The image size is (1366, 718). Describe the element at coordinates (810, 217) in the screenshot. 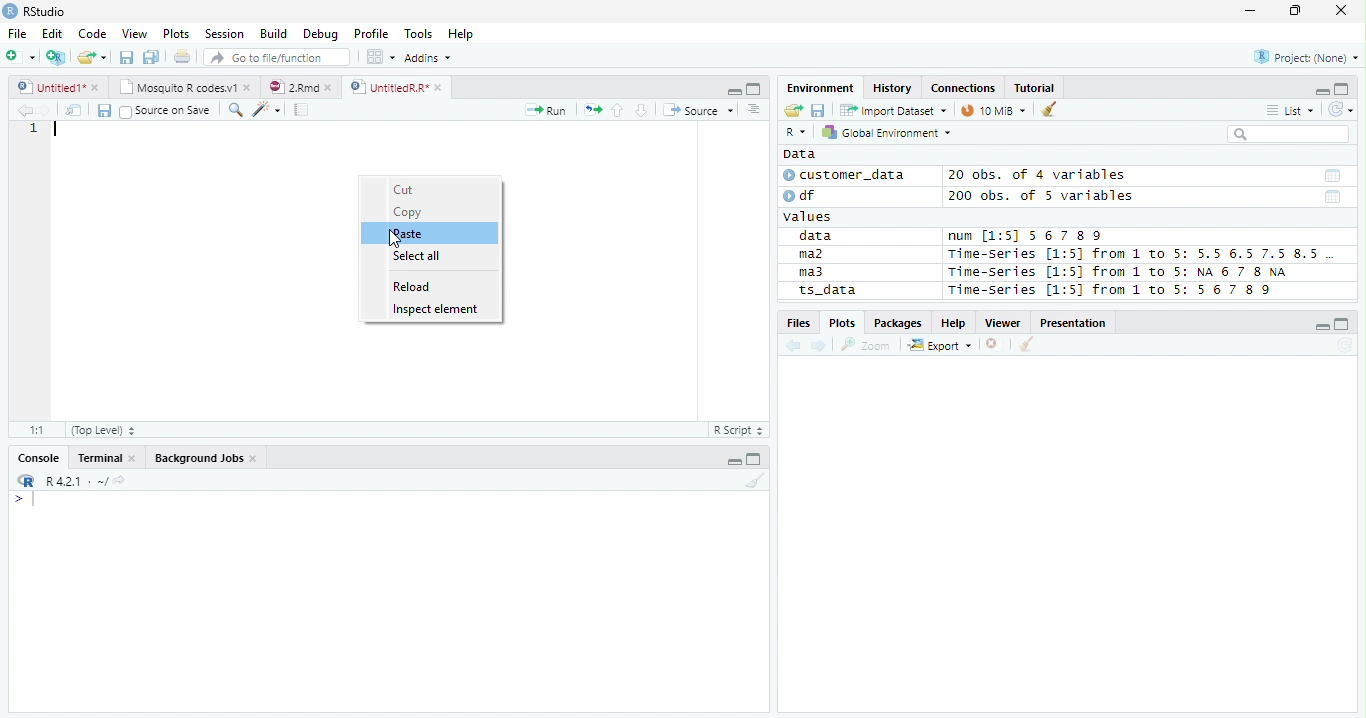

I see `values` at that location.